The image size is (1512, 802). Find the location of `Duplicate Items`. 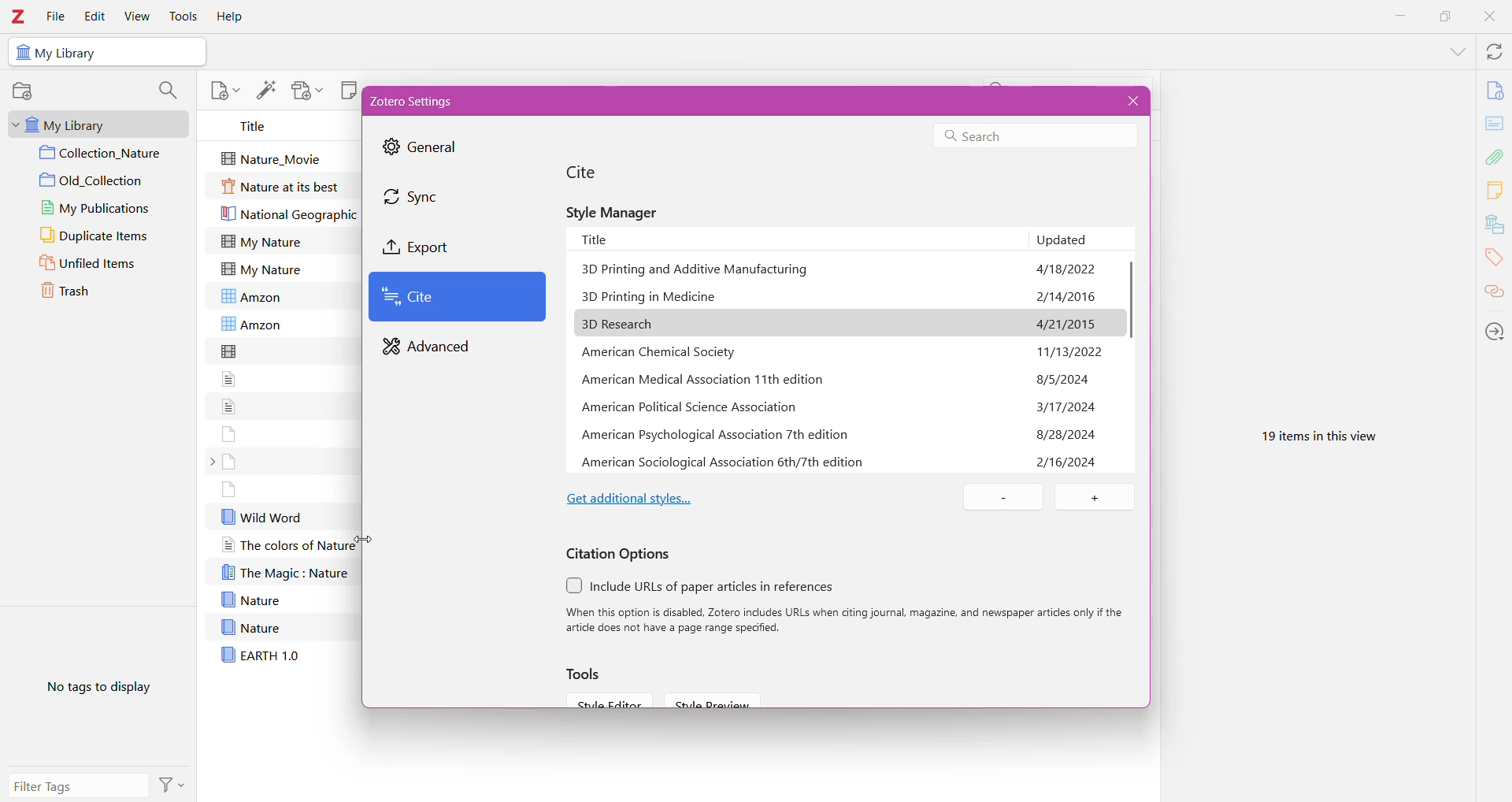

Duplicate Items is located at coordinates (104, 236).